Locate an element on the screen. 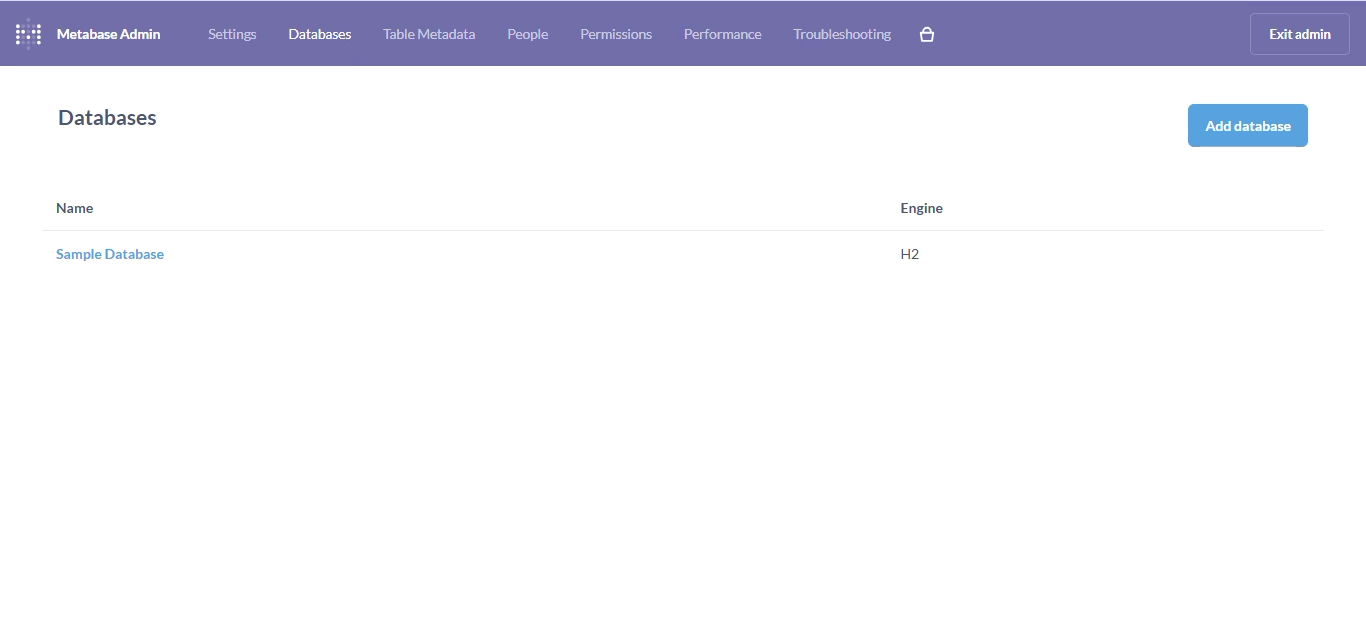  troubleshooting is located at coordinates (841, 34).